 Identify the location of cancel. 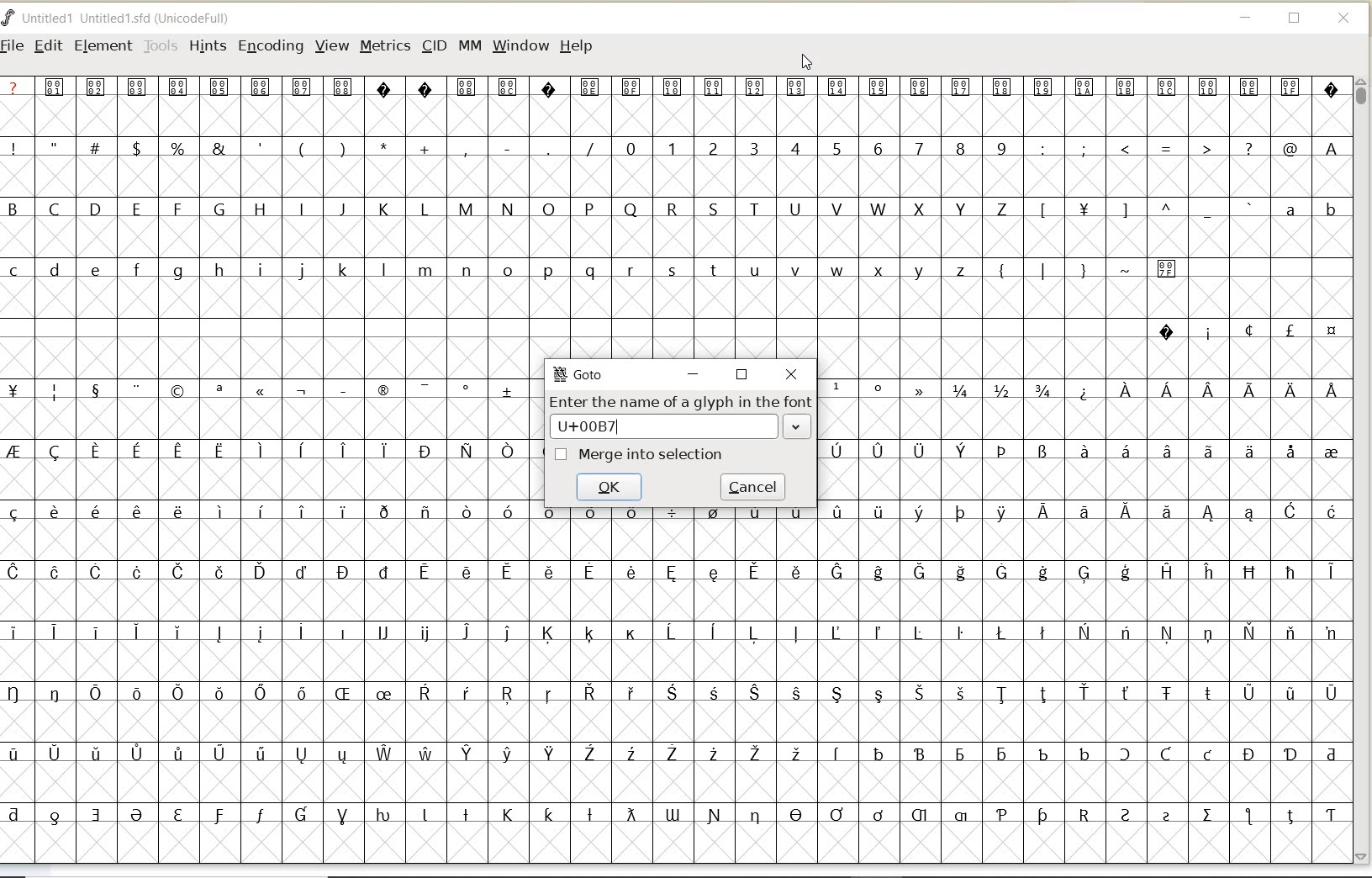
(752, 488).